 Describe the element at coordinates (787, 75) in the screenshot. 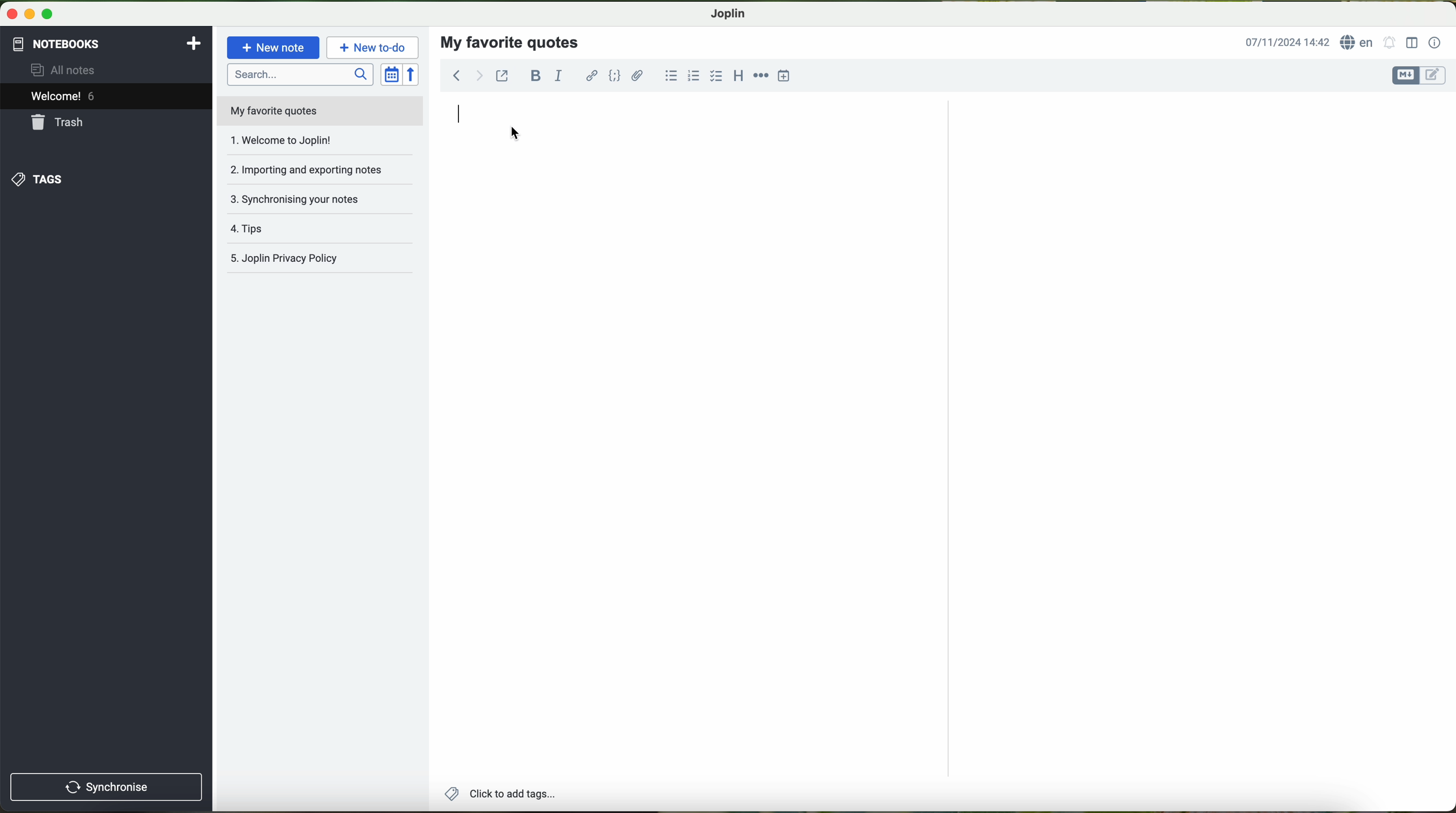

I see `insert time` at that location.